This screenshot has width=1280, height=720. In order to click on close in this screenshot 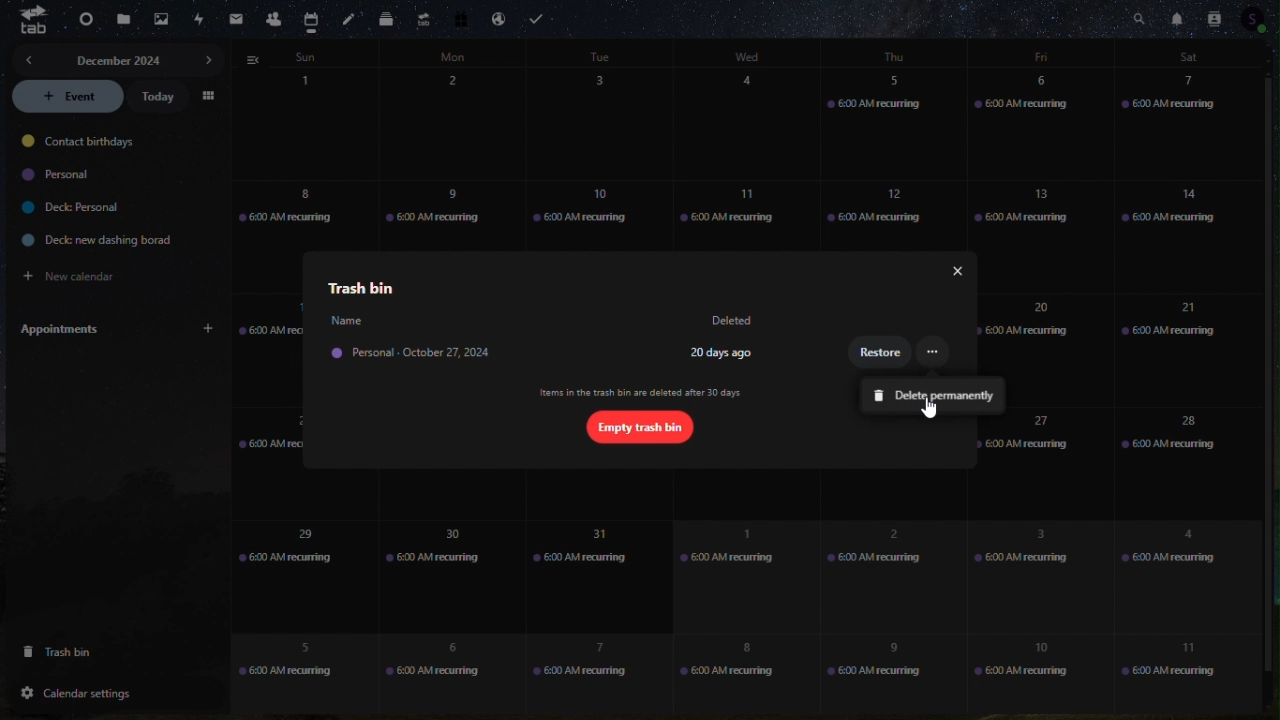, I will do `click(951, 271)`.